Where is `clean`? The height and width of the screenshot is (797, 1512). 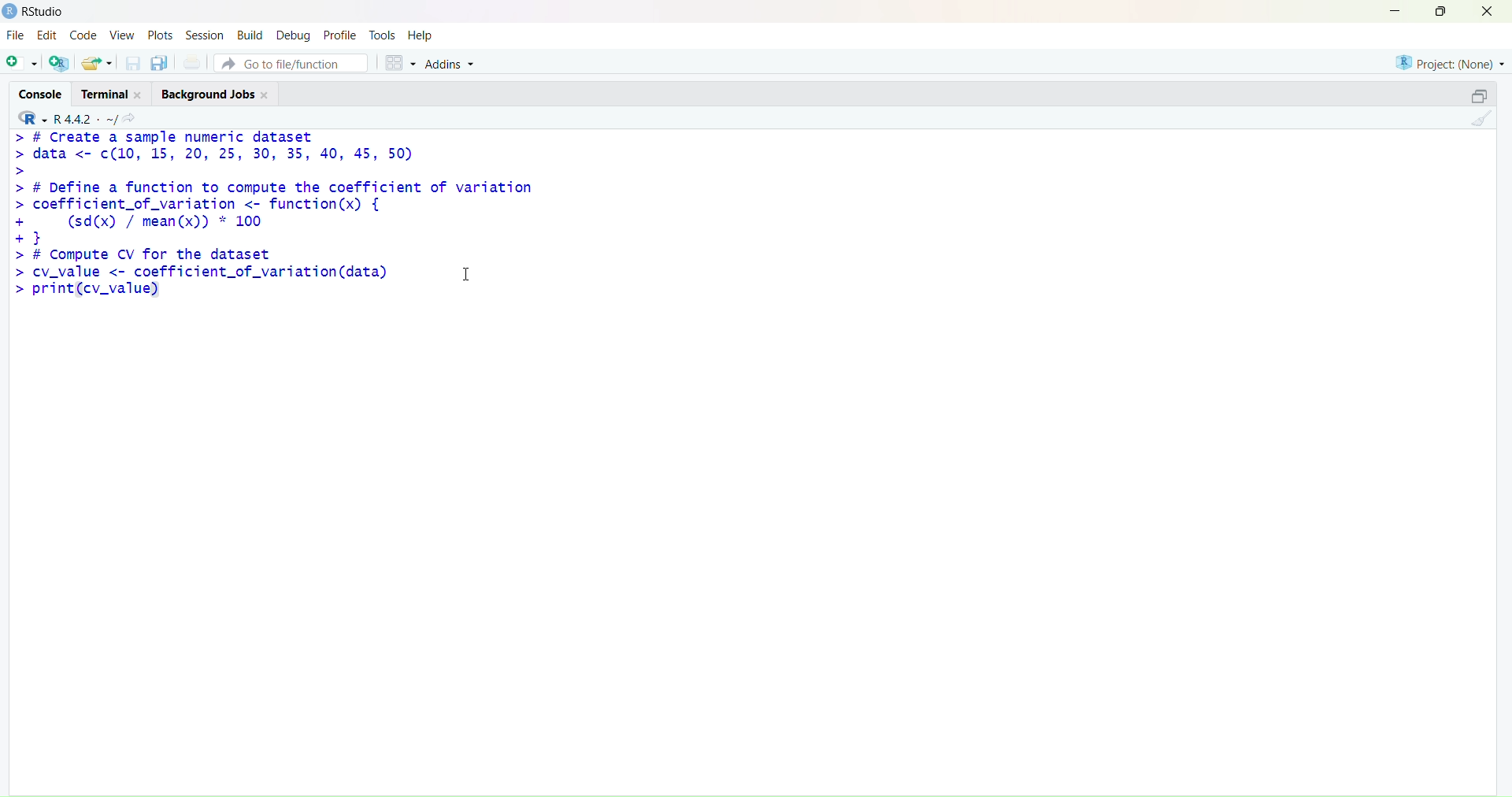
clean is located at coordinates (1483, 118).